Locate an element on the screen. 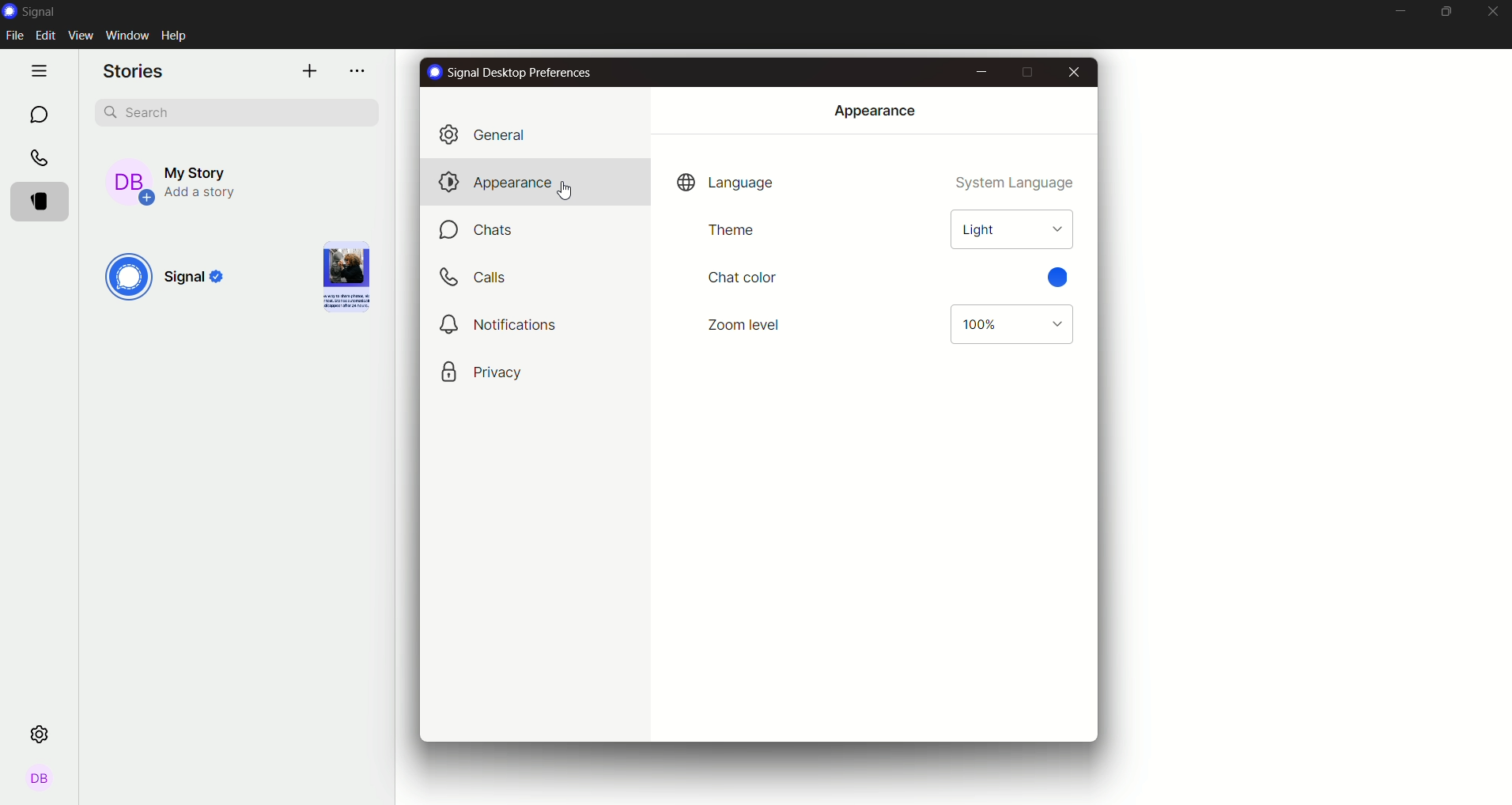  hide tabs is located at coordinates (42, 70).